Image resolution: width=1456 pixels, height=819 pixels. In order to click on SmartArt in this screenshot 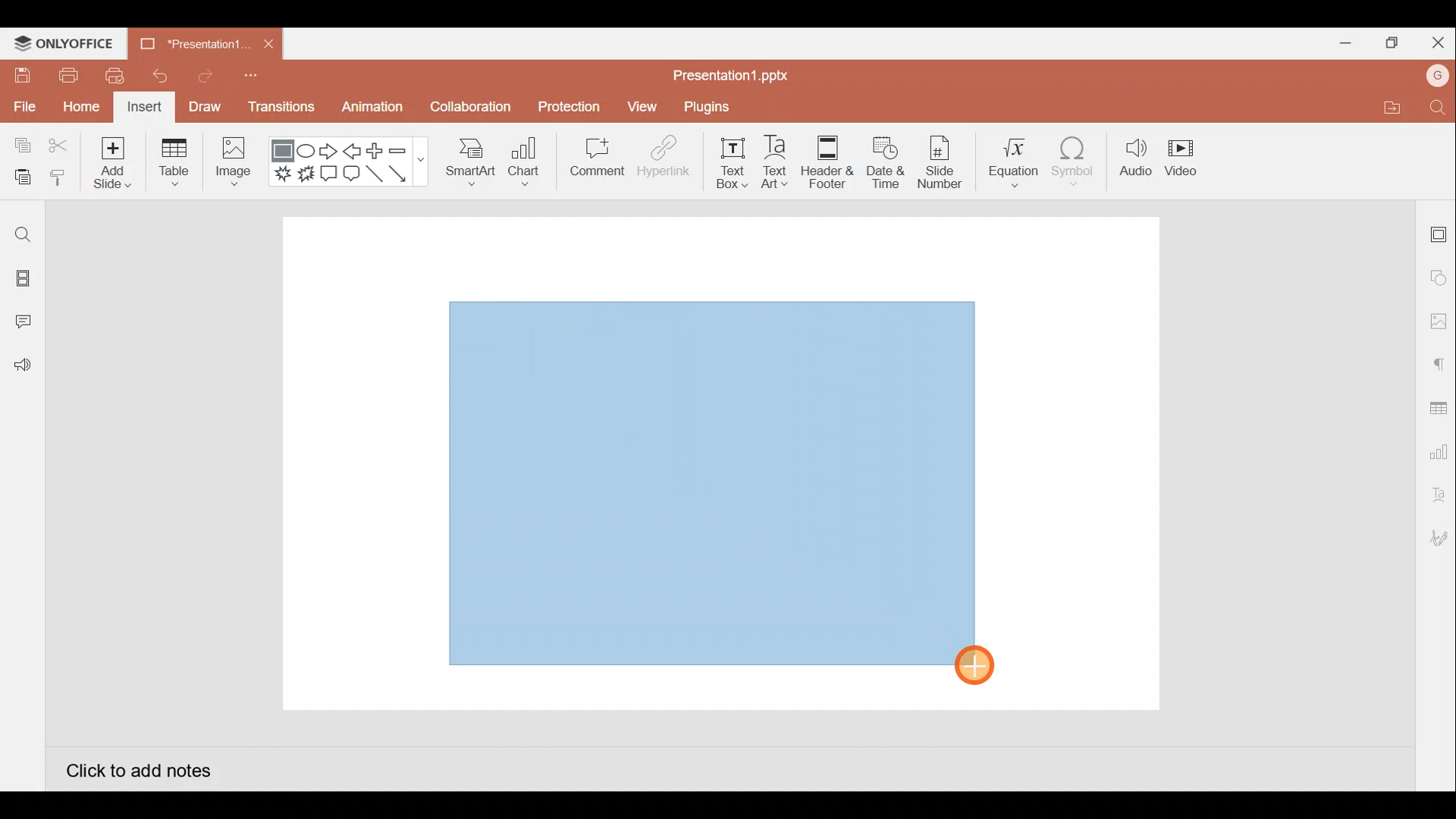, I will do `click(469, 159)`.